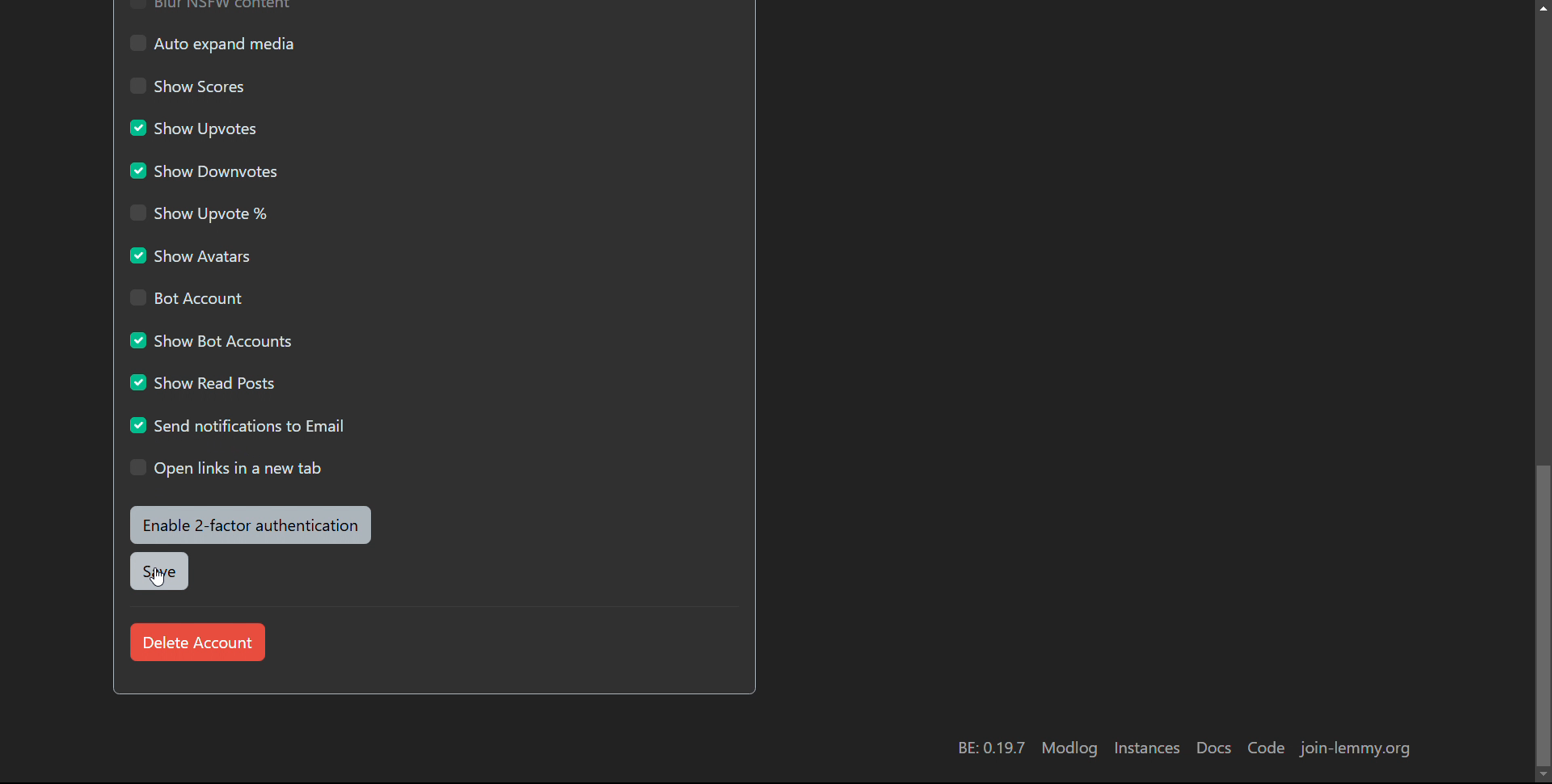 The width and height of the screenshot is (1552, 784). Describe the element at coordinates (241, 424) in the screenshot. I see `send notifications to email` at that location.